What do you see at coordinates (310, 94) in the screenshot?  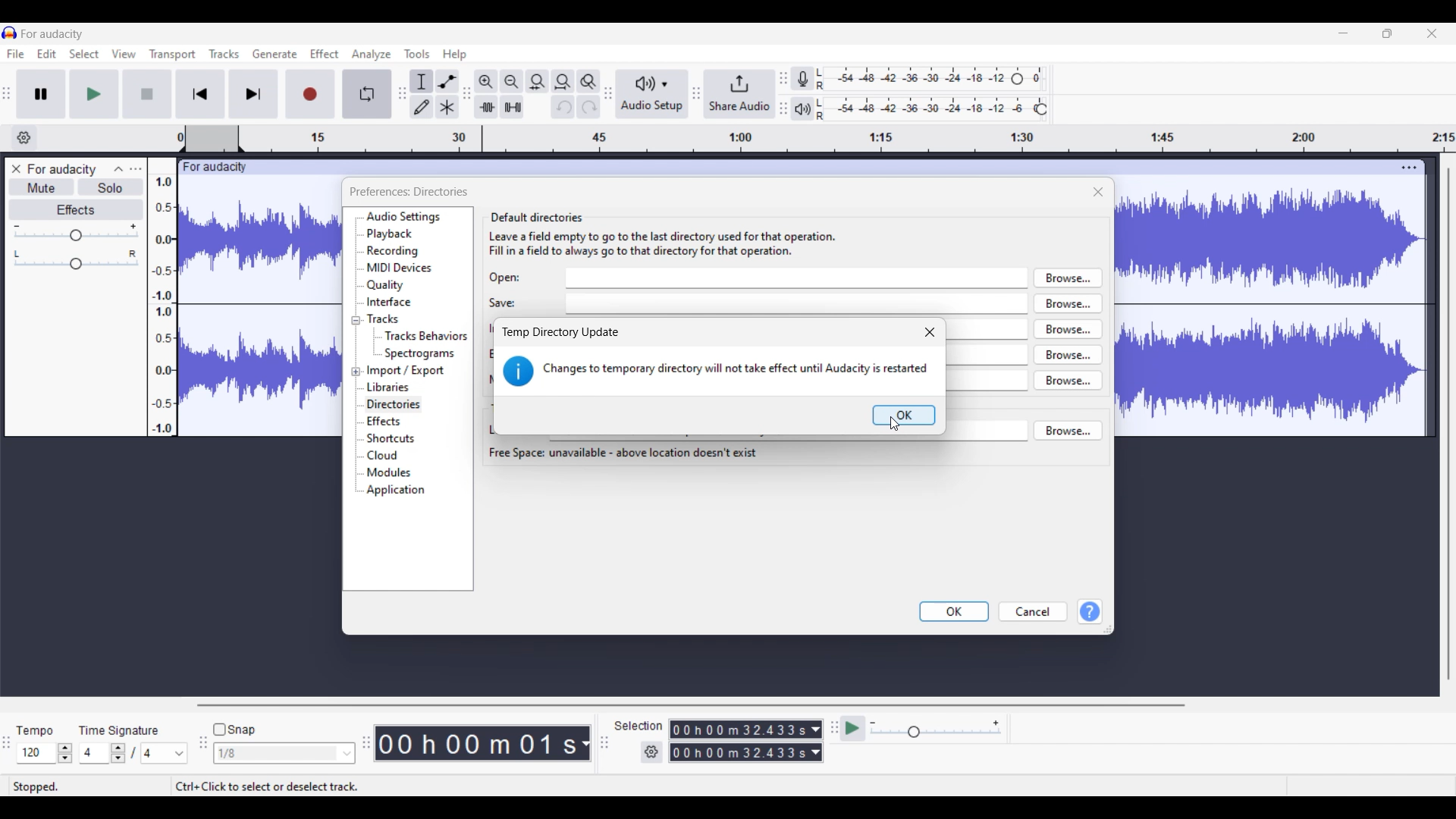 I see `Record/Record new track` at bounding box center [310, 94].